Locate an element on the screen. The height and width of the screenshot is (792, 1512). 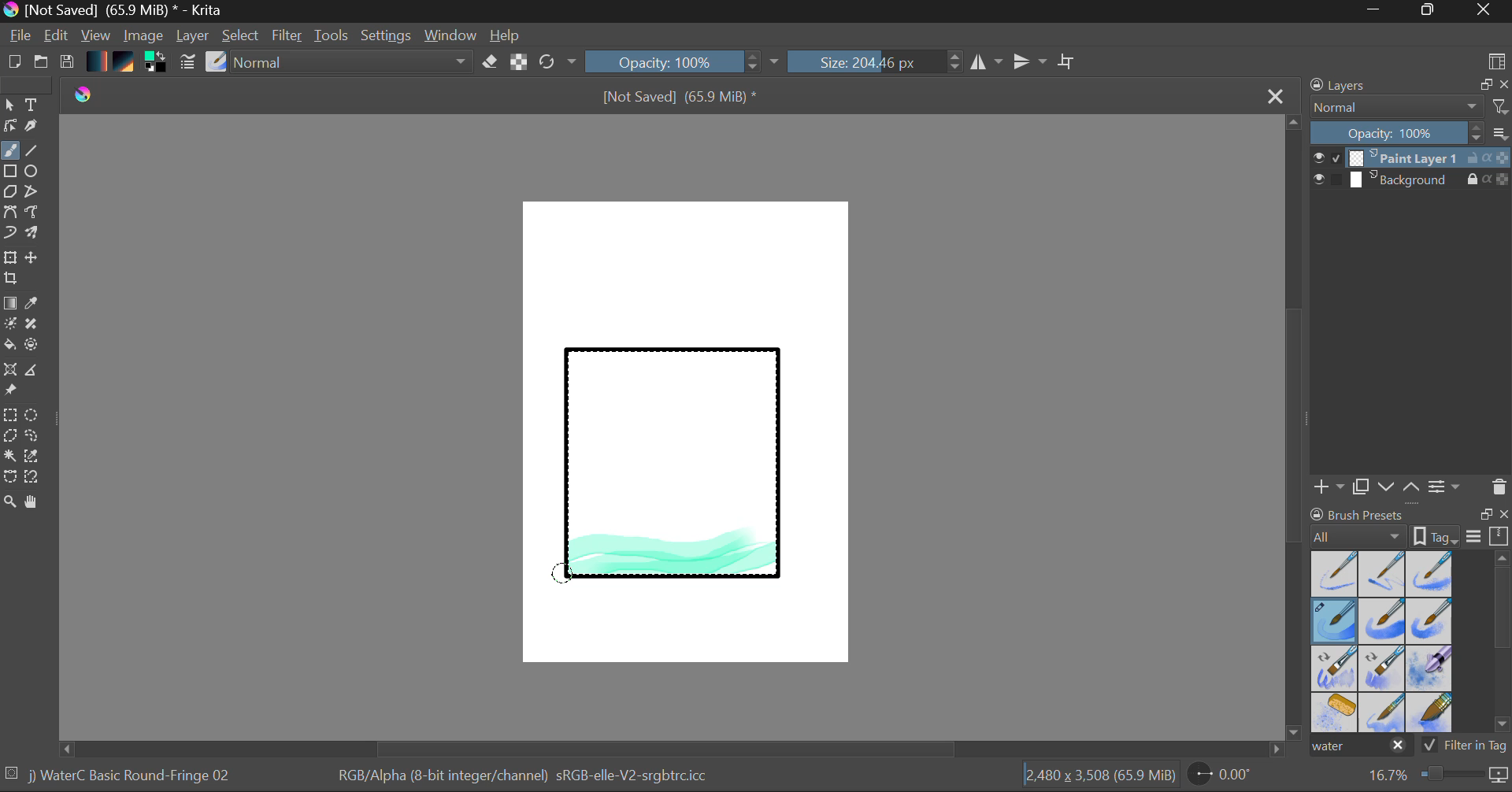
Close is located at coordinates (1485, 11).